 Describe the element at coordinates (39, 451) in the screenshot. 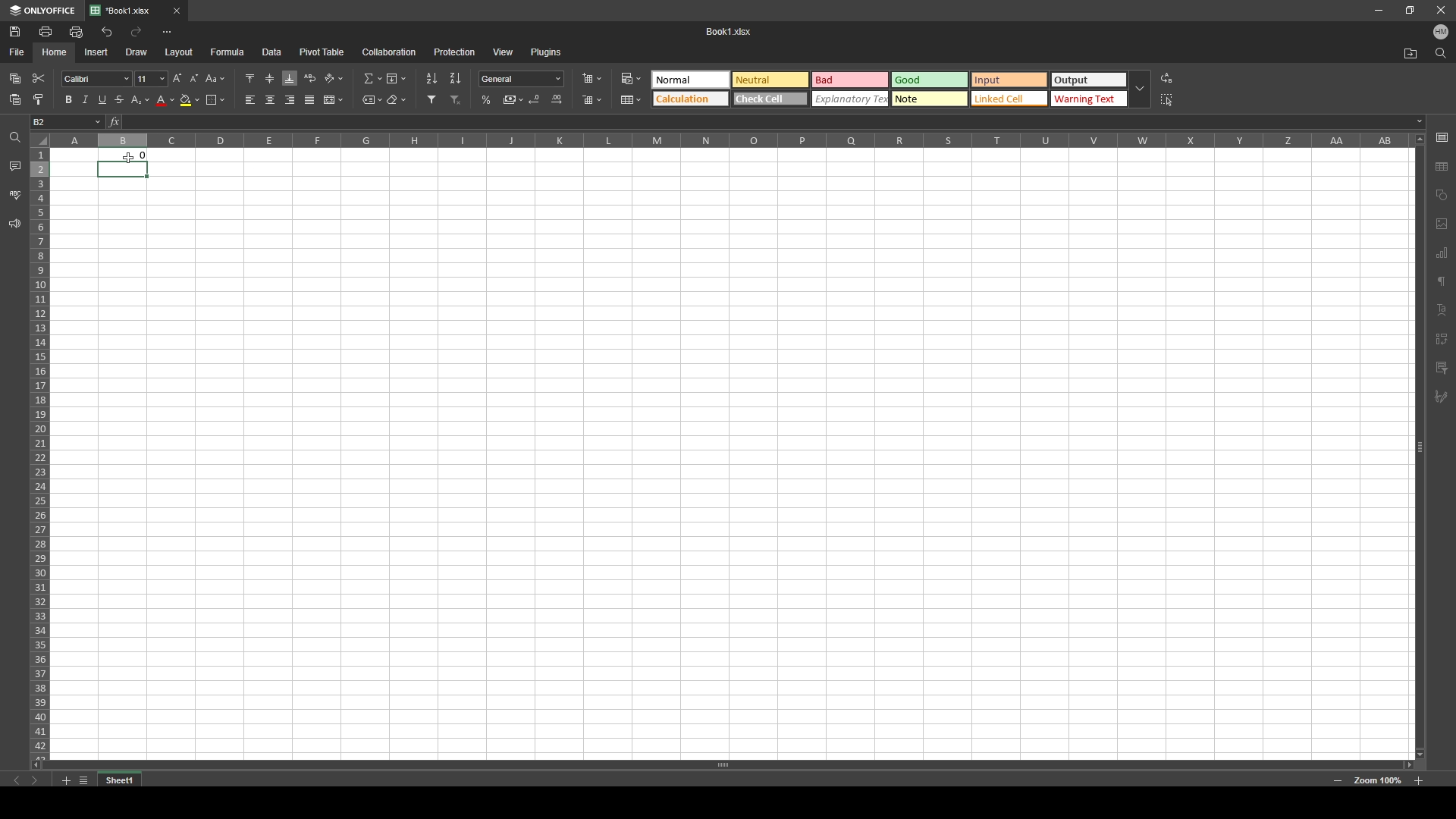

I see `rows` at that location.